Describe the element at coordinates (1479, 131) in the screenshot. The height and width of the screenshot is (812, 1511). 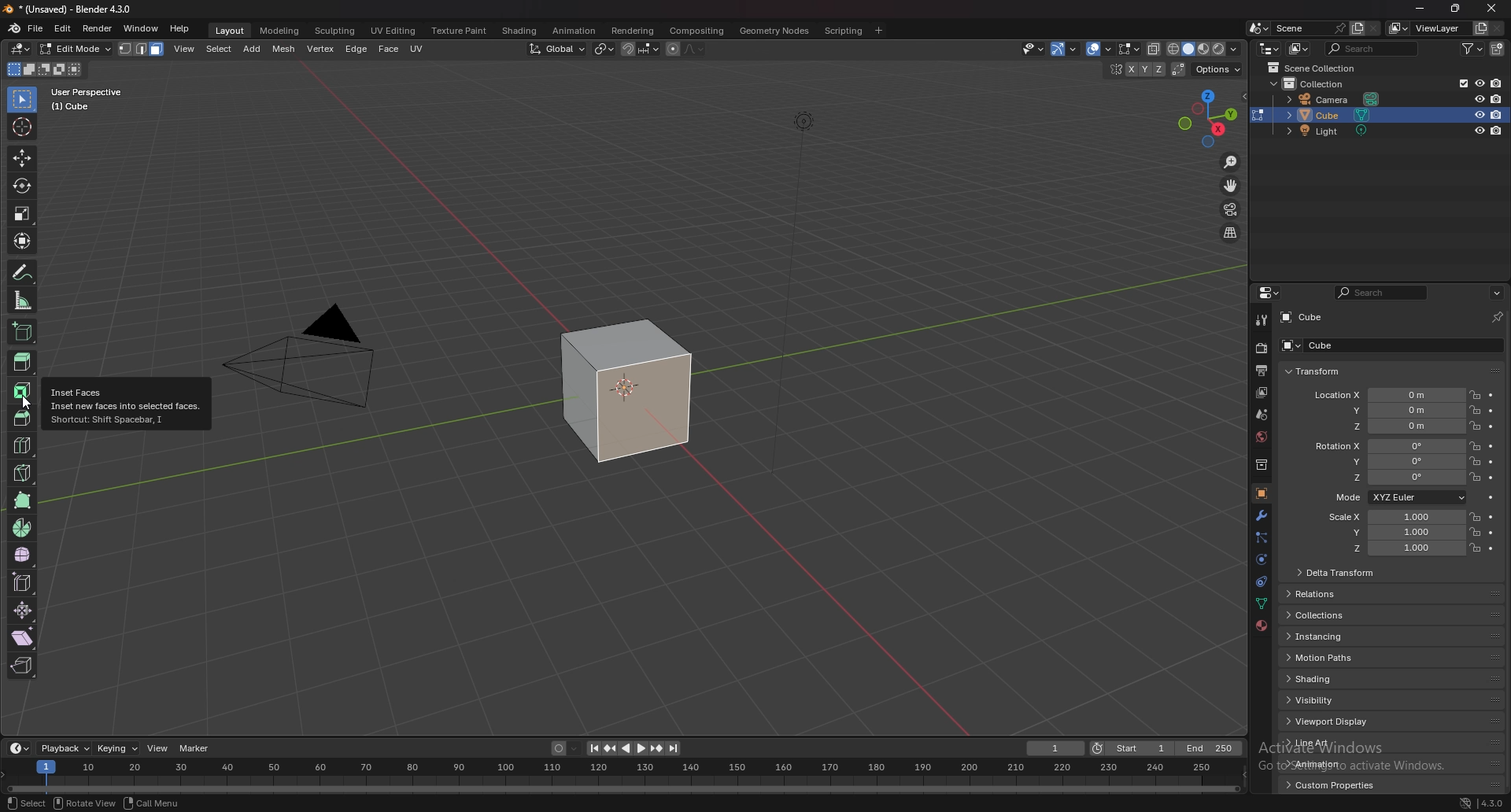
I see `hide in viewport` at that location.